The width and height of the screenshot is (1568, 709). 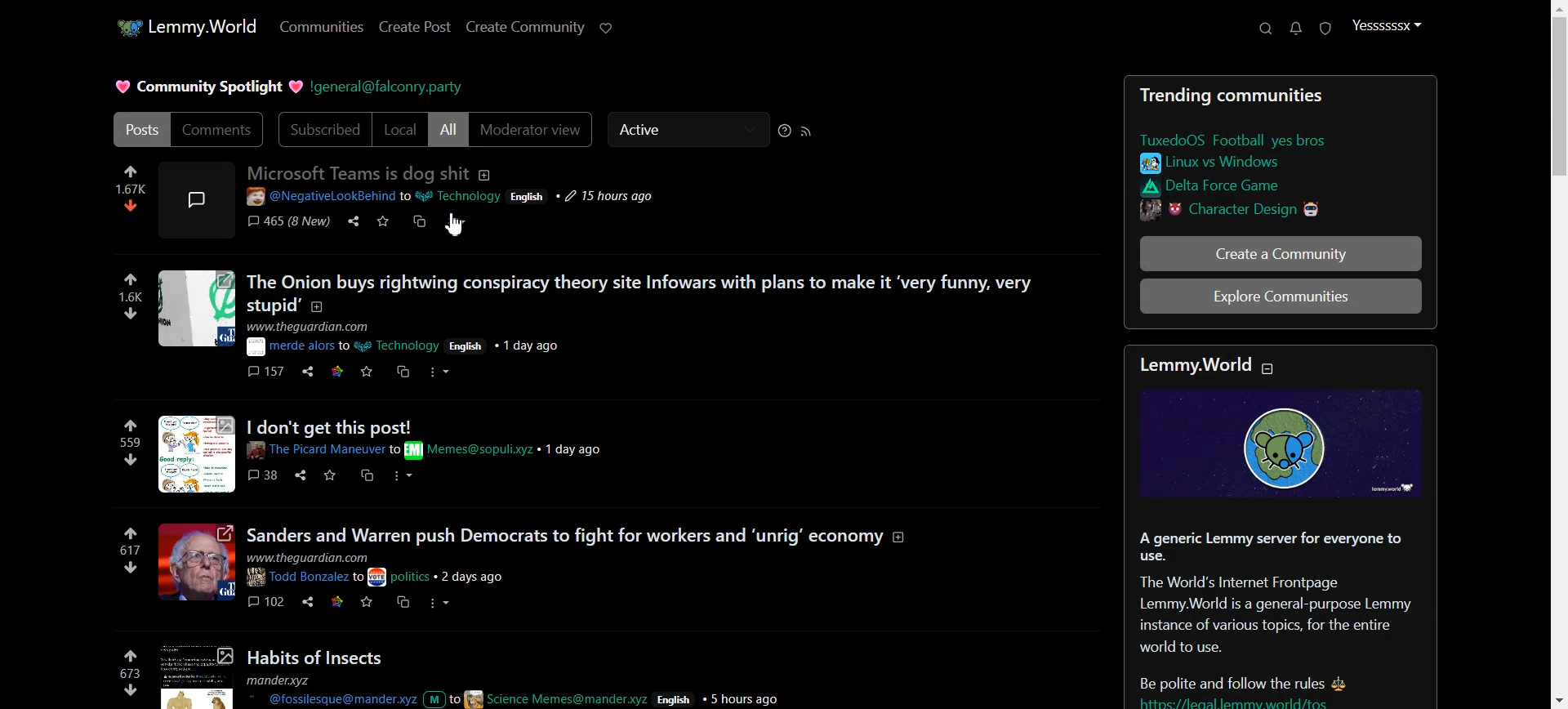 What do you see at coordinates (533, 129) in the screenshot?
I see `Moderator view` at bounding box center [533, 129].